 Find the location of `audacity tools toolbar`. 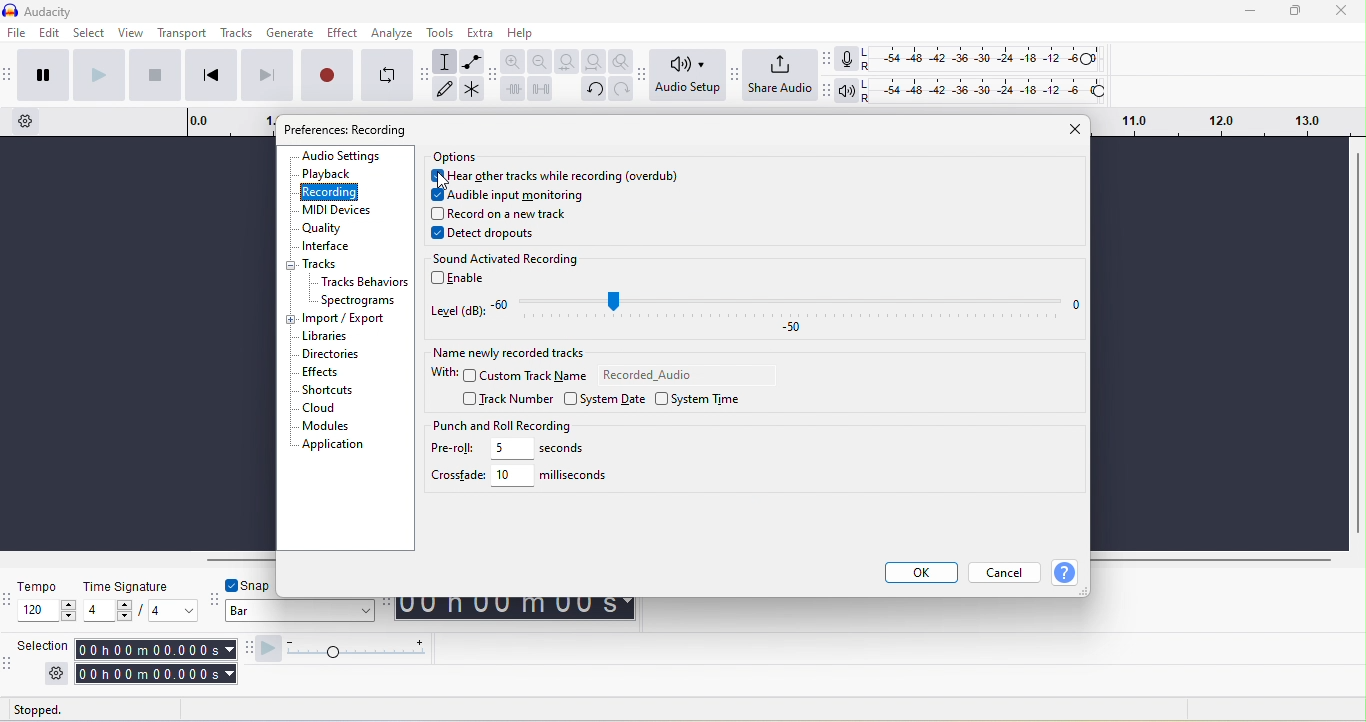

audacity tools toolbar is located at coordinates (424, 76).